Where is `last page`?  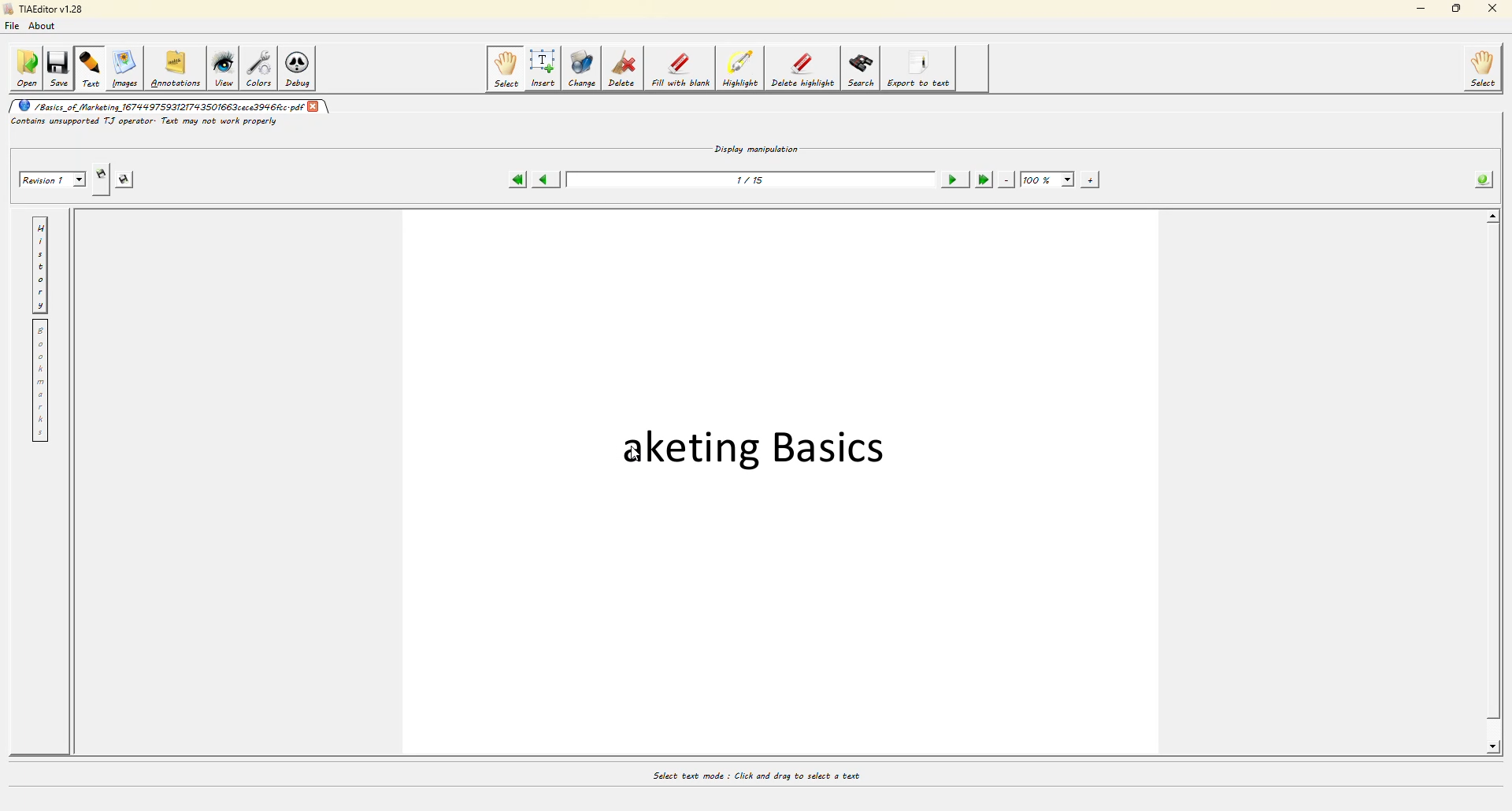
last page is located at coordinates (982, 179).